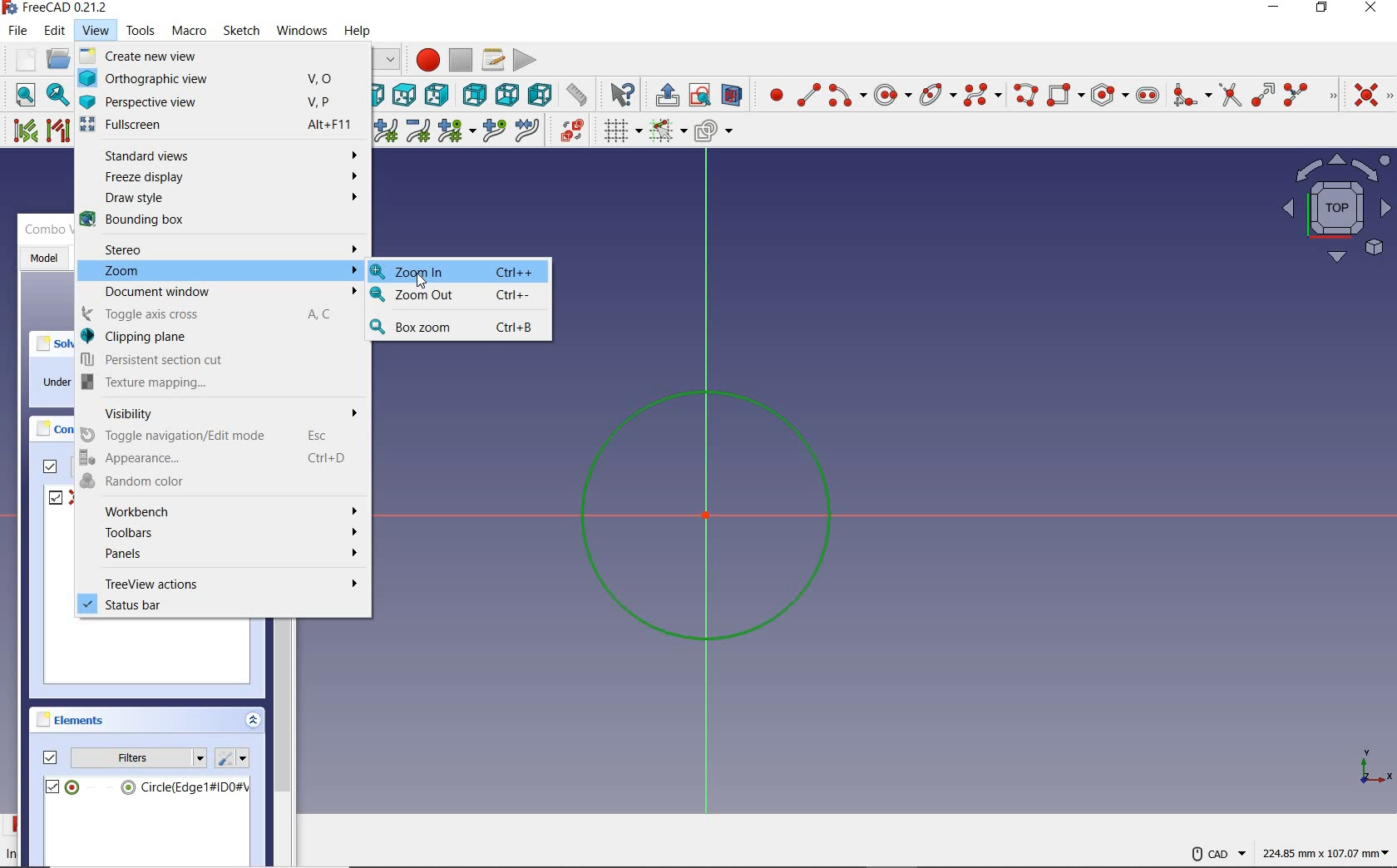 This screenshot has width=1397, height=868. Describe the element at coordinates (1370, 94) in the screenshot. I see `constrain coincident` at that location.